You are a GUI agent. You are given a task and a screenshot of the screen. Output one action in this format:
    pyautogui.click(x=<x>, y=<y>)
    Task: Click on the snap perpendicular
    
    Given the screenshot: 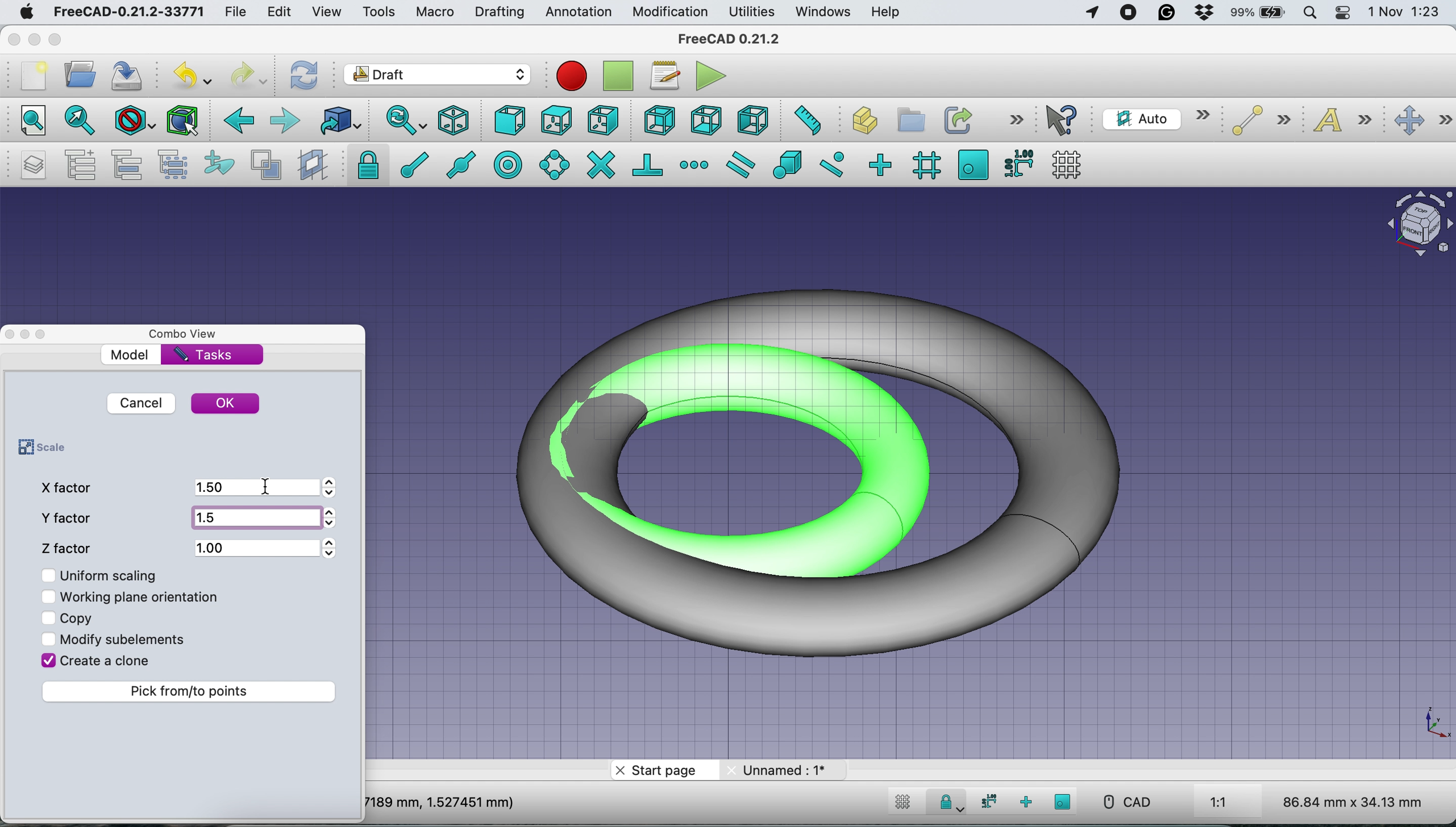 What is the action you would take?
    pyautogui.click(x=648, y=164)
    